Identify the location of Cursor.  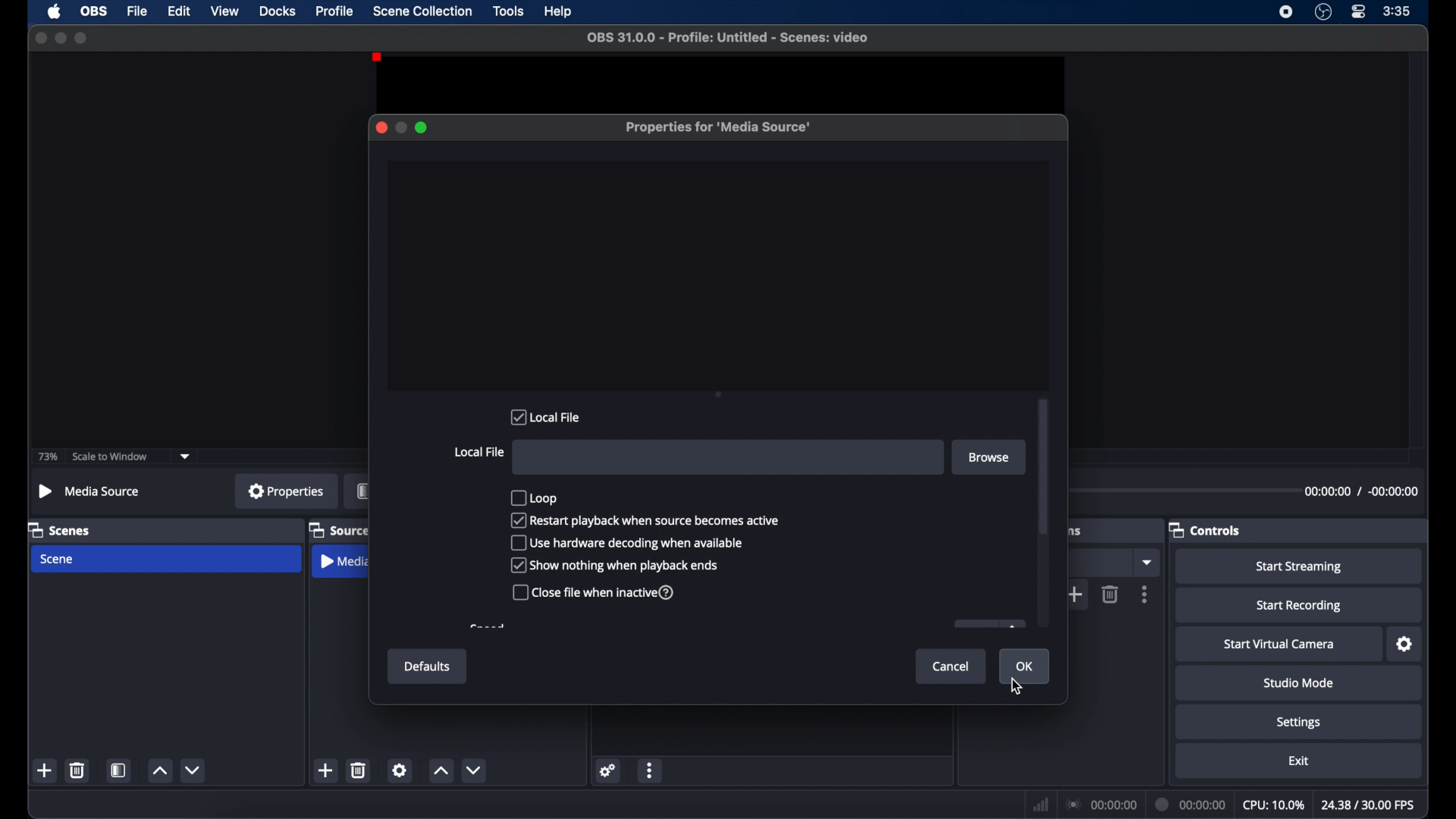
(1015, 688).